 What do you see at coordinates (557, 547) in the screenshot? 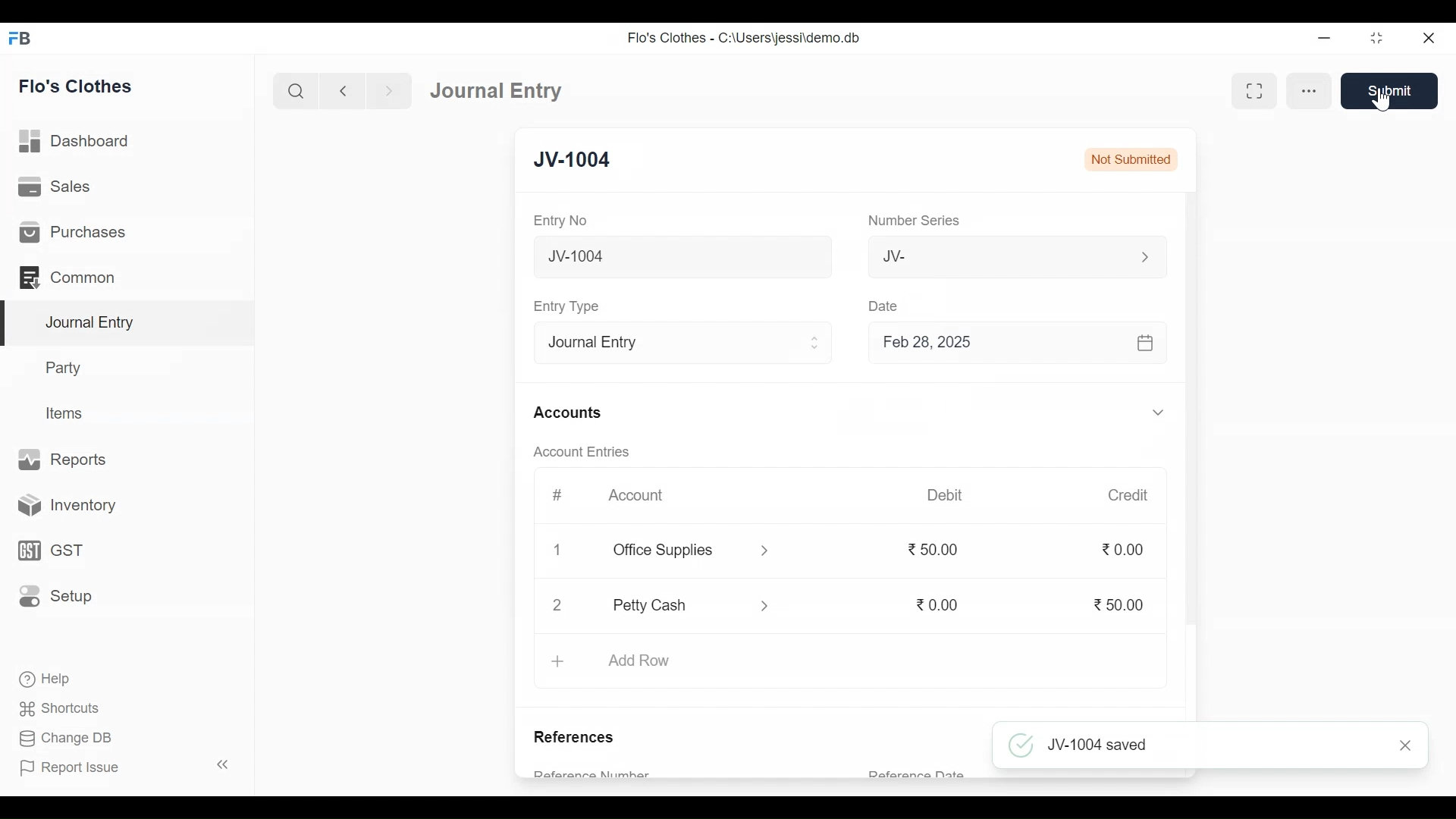
I see `1` at bounding box center [557, 547].